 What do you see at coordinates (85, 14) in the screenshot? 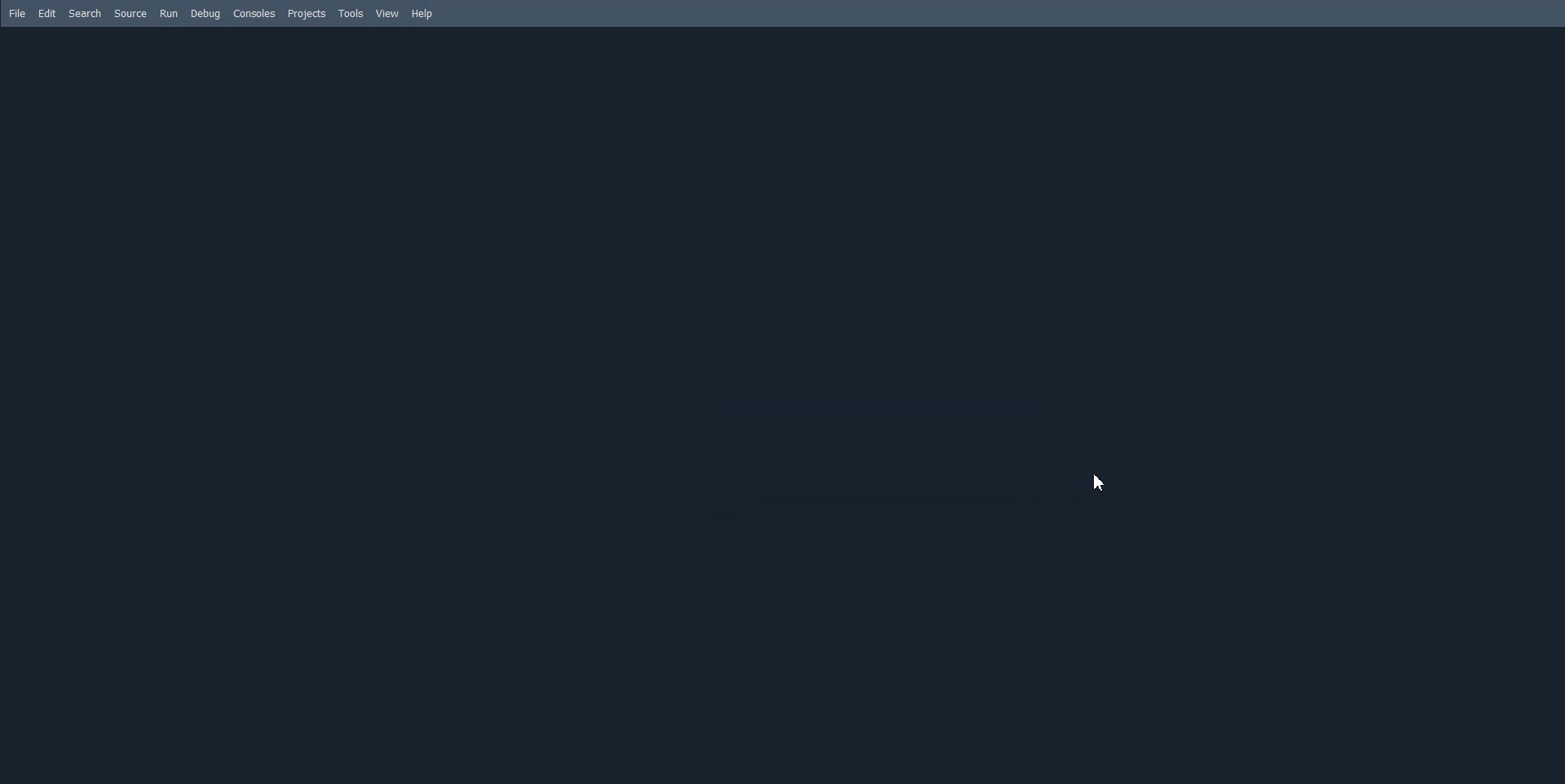
I see `Search` at bounding box center [85, 14].